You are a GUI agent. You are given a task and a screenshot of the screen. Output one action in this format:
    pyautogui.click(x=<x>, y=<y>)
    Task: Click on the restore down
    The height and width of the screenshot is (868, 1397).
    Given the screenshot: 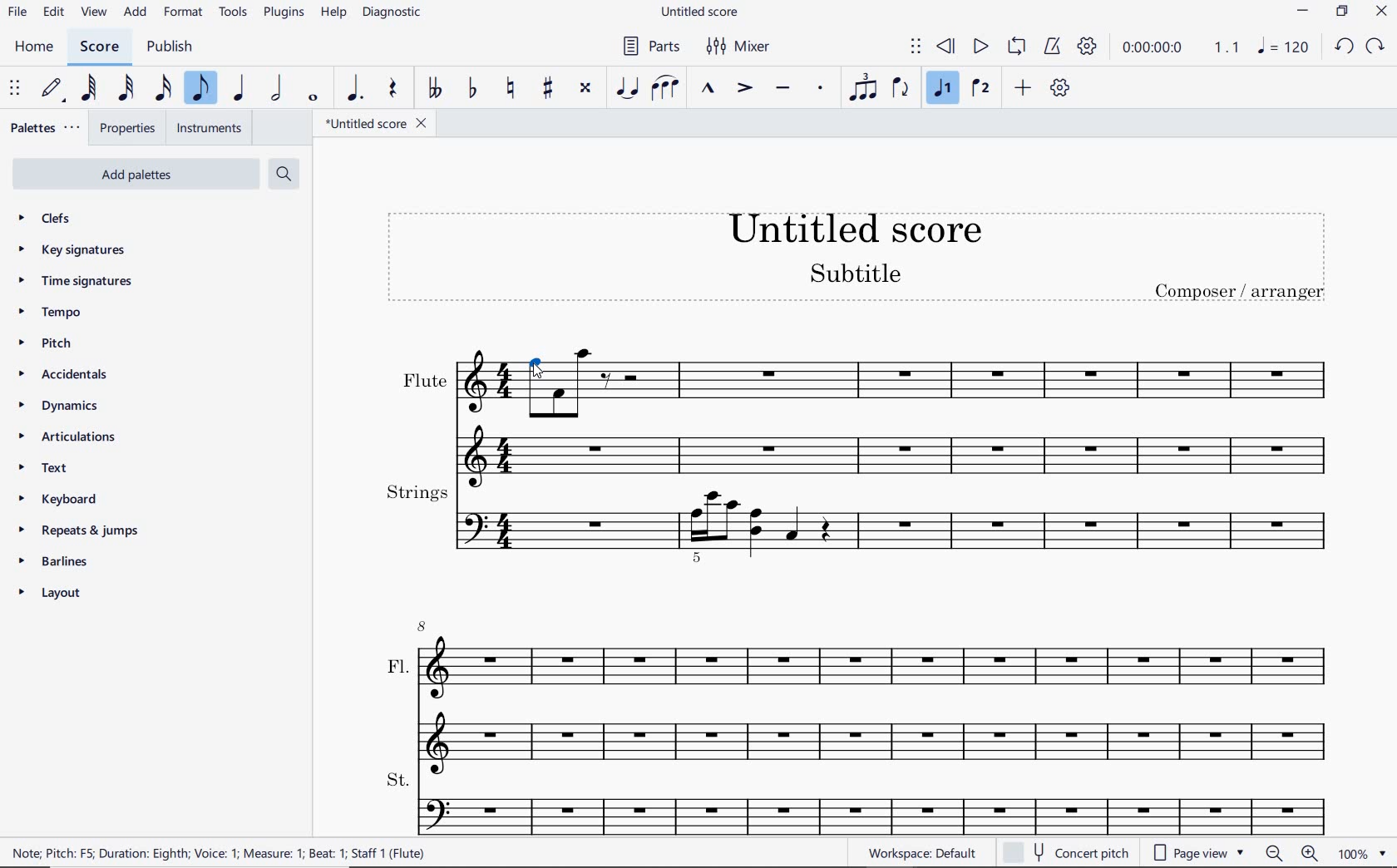 What is the action you would take?
    pyautogui.click(x=1342, y=11)
    